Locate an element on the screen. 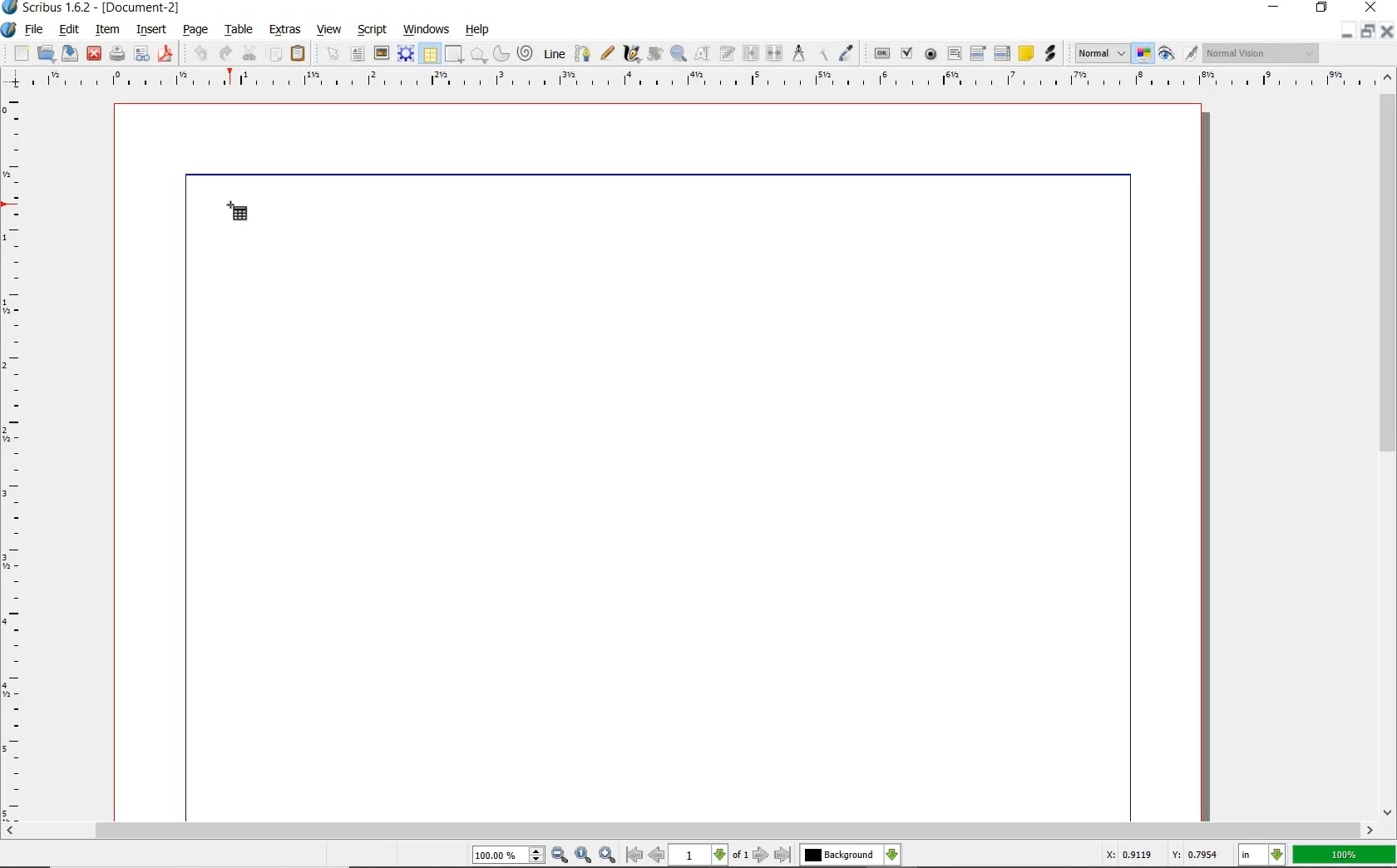 The height and width of the screenshot is (868, 1397). preflight verifier is located at coordinates (143, 55).